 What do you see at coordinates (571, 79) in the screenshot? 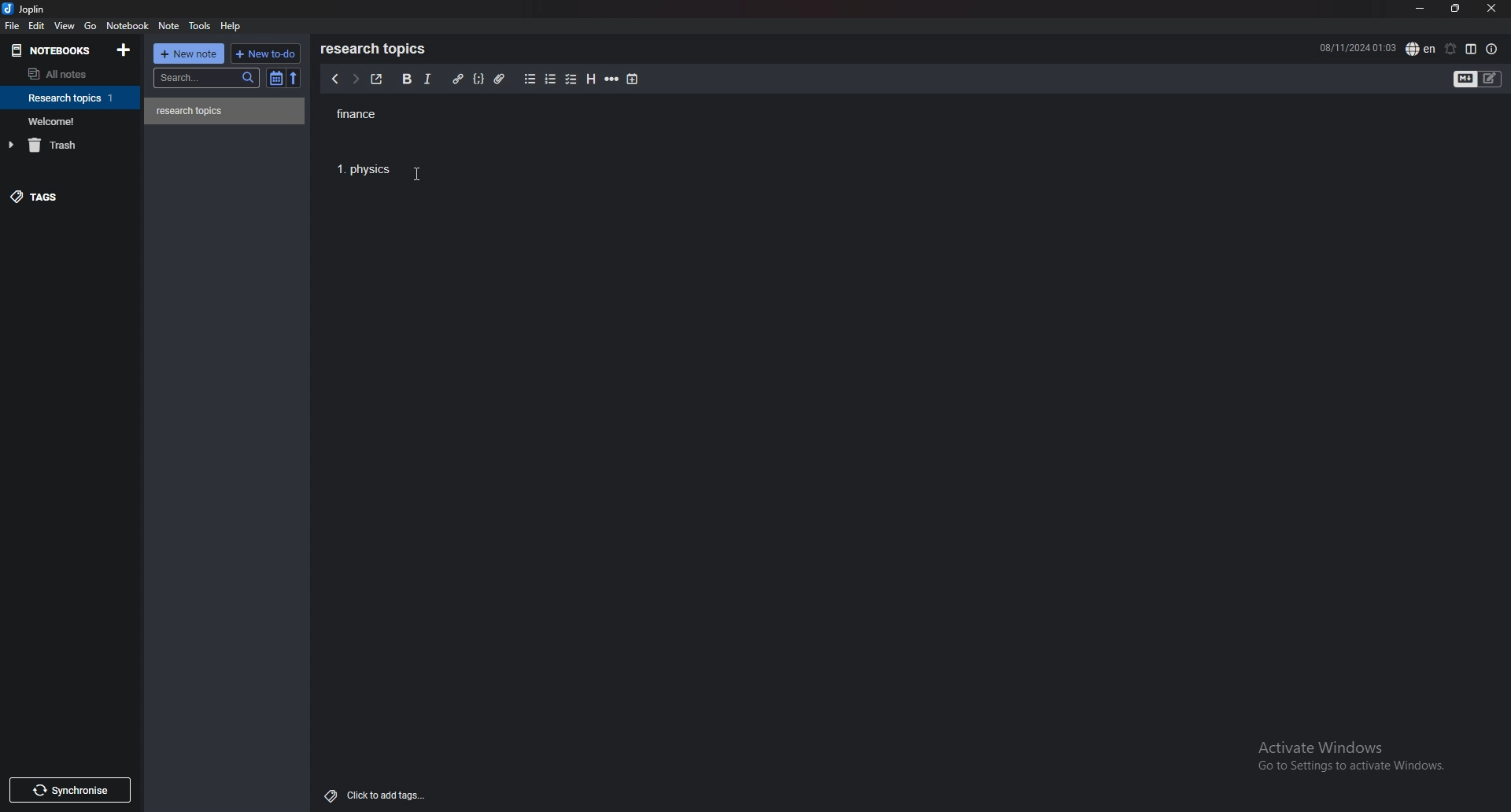
I see `checkbox` at bounding box center [571, 79].